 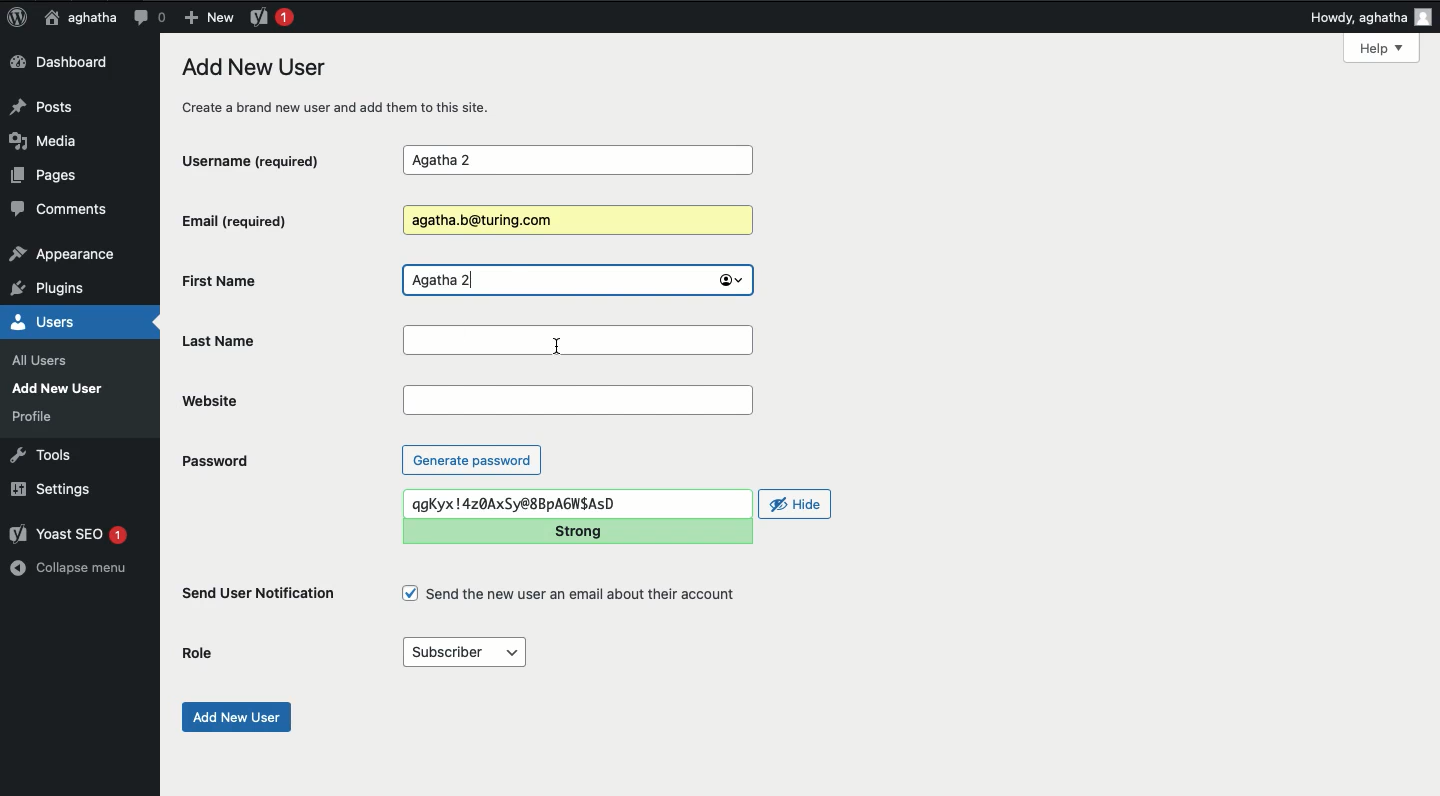 What do you see at coordinates (50, 141) in the screenshot?
I see `Media` at bounding box center [50, 141].